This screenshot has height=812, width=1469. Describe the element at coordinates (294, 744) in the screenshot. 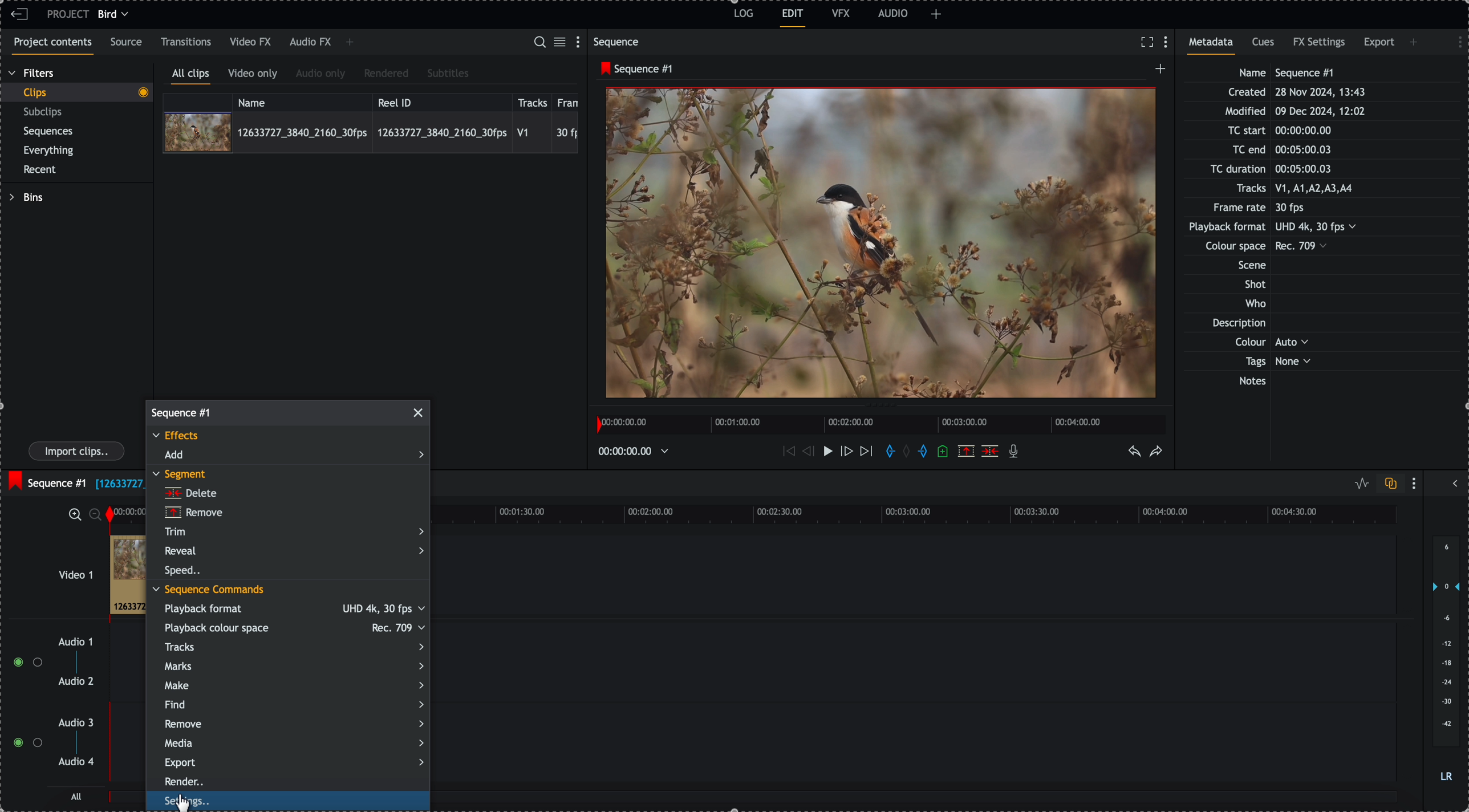

I see `media` at that location.